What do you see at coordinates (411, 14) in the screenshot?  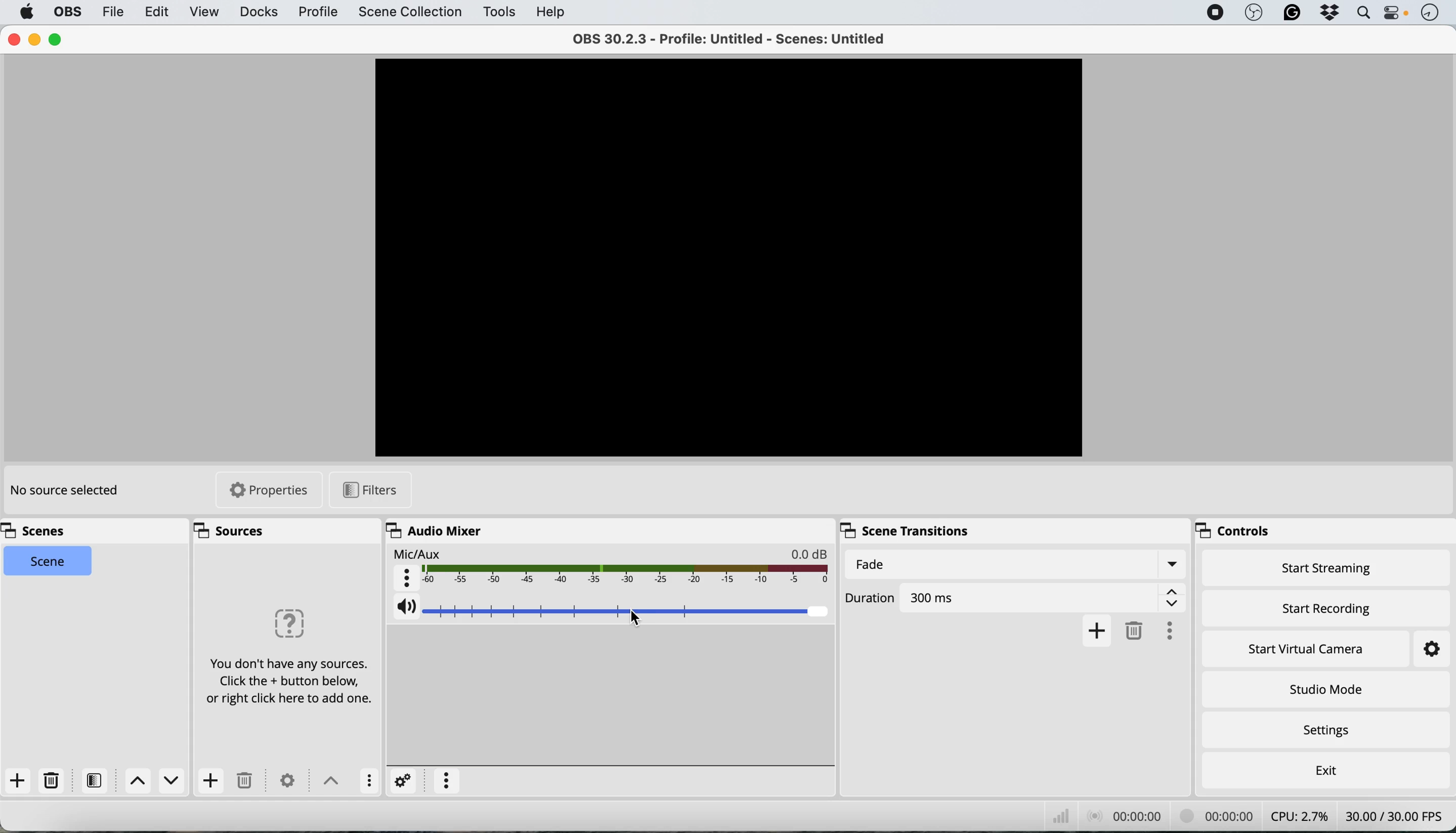 I see `scene collection` at bounding box center [411, 14].